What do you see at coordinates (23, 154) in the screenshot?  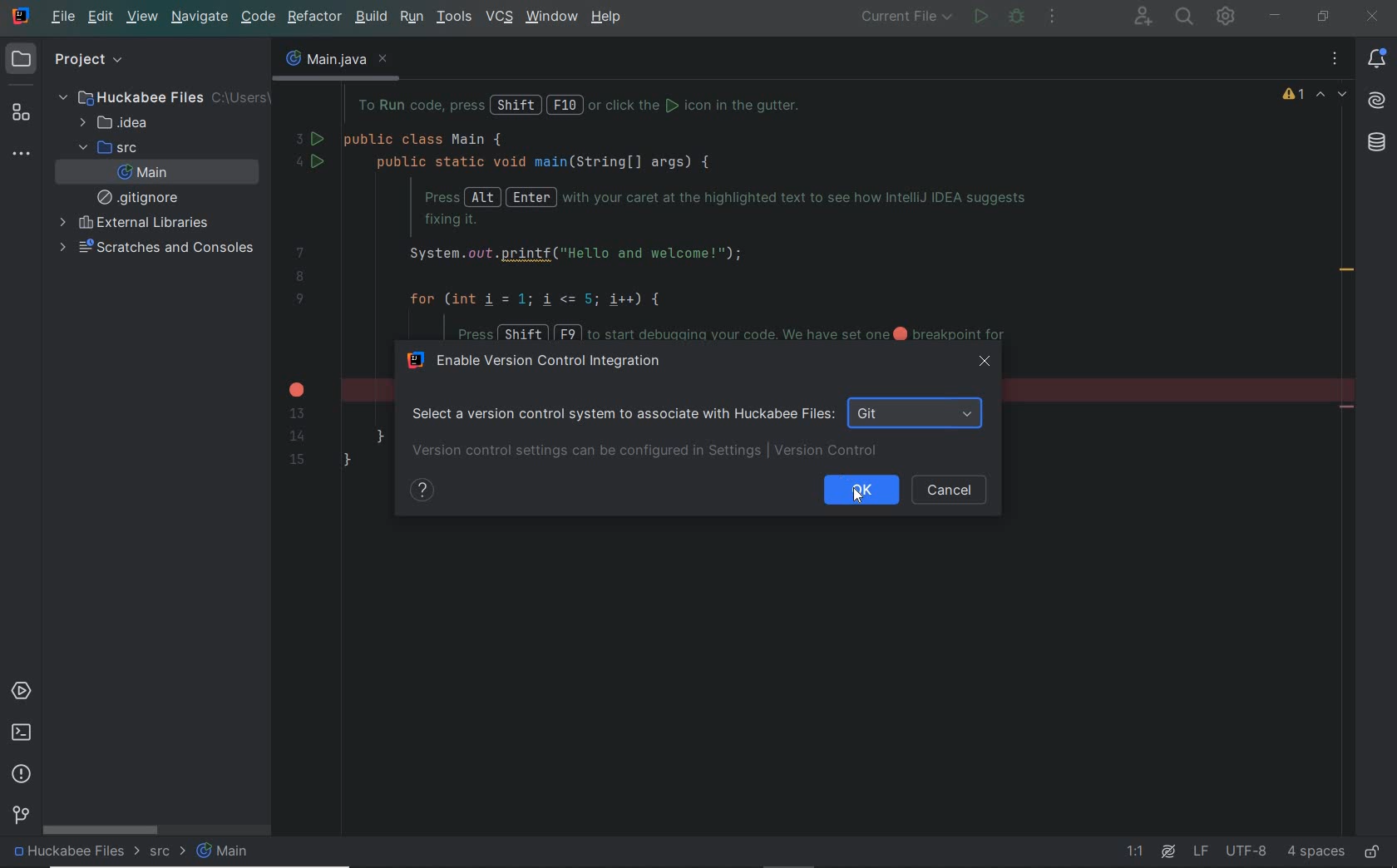 I see `more tool windows` at bounding box center [23, 154].